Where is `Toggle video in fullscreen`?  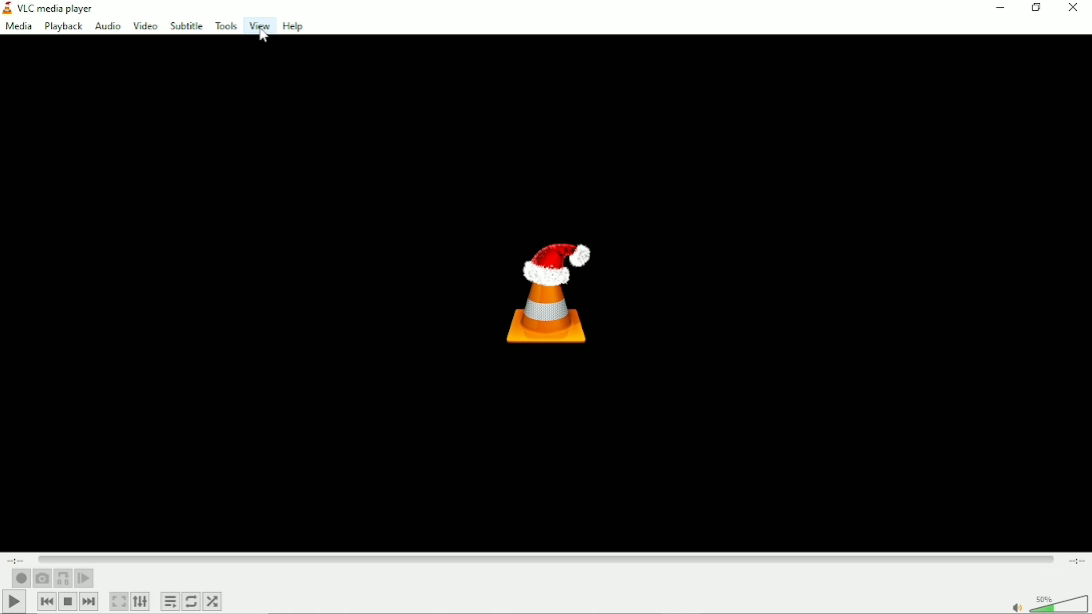 Toggle video in fullscreen is located at coordinates (119, 601).